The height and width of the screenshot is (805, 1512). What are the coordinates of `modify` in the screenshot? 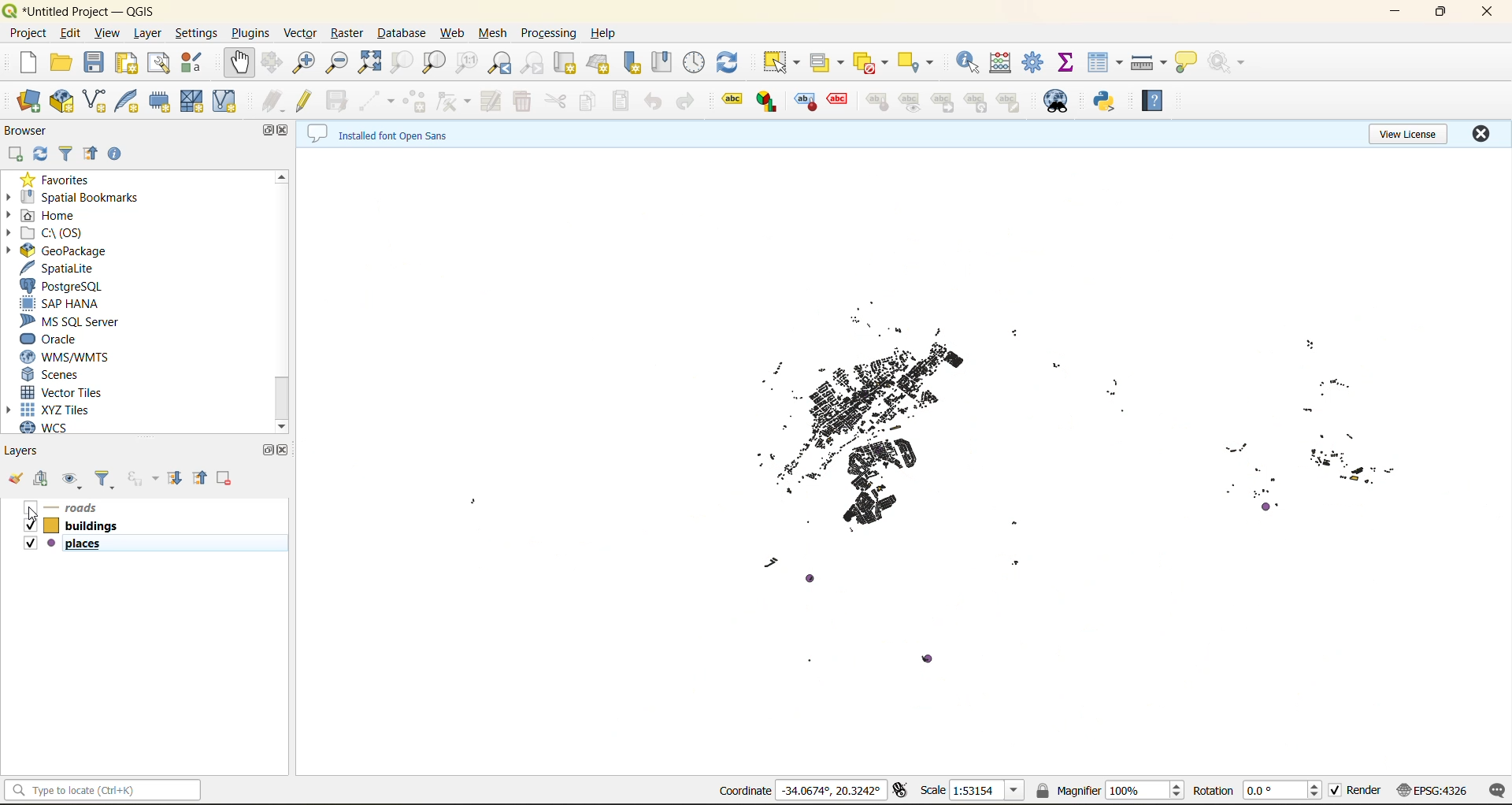 It's located at (494, 100).